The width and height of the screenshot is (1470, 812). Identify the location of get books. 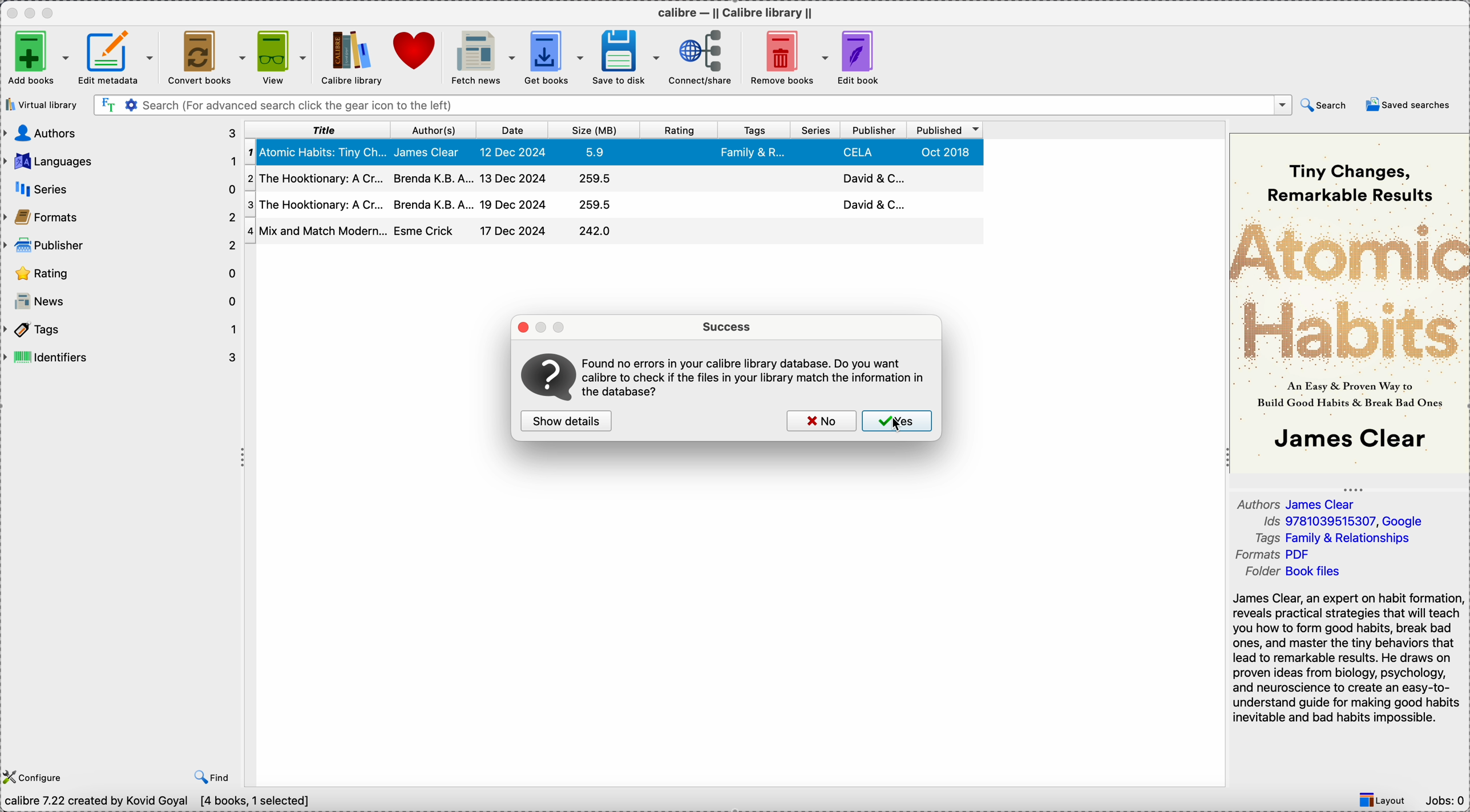
(555, 56).